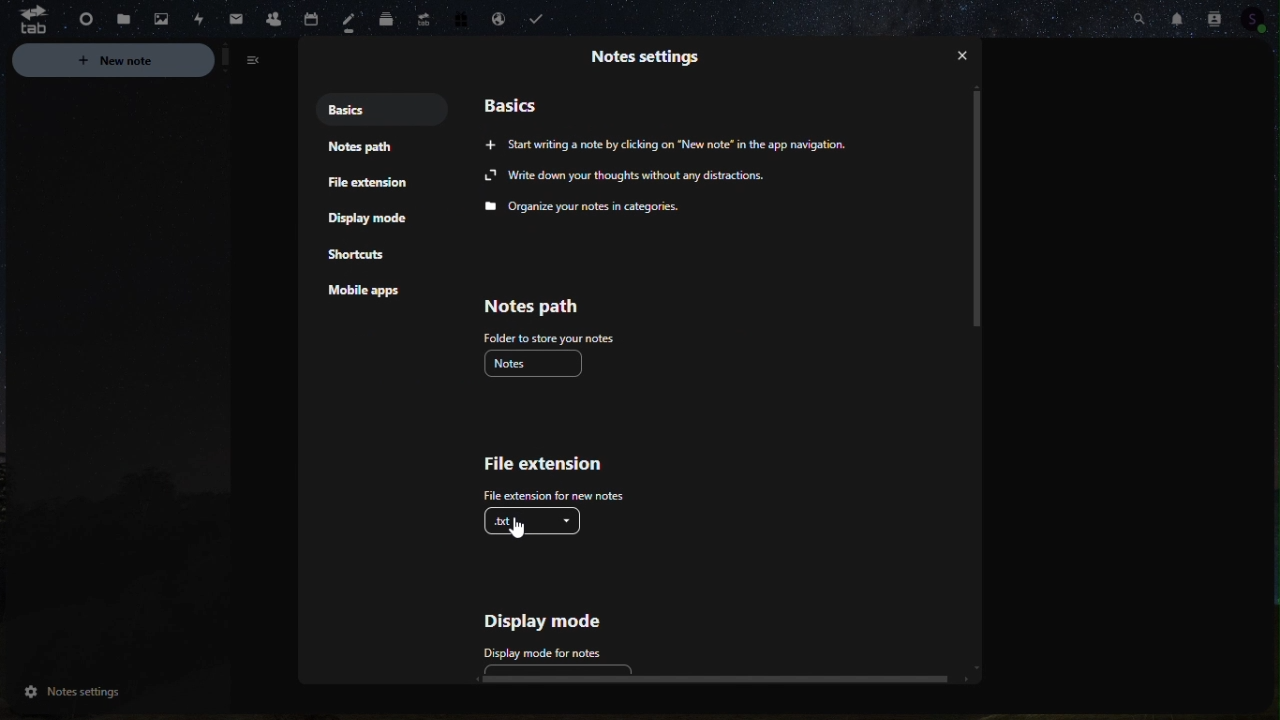 The image size is (1280, 720). Describe the element at coordinates (964, 59) in the screenshot. I see `close` at that location.